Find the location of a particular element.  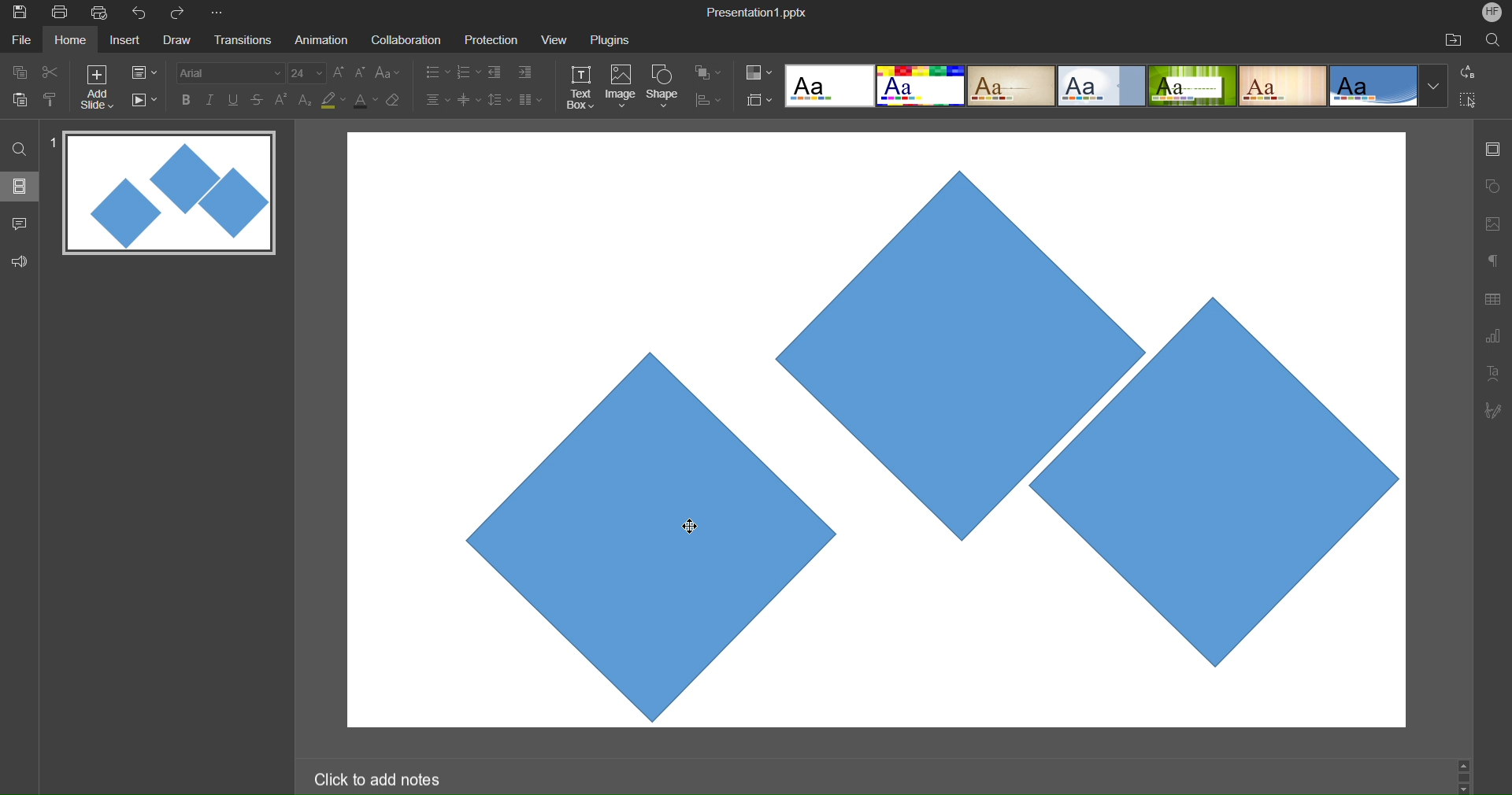

Decrease indent is located at coordinates (498, 74).